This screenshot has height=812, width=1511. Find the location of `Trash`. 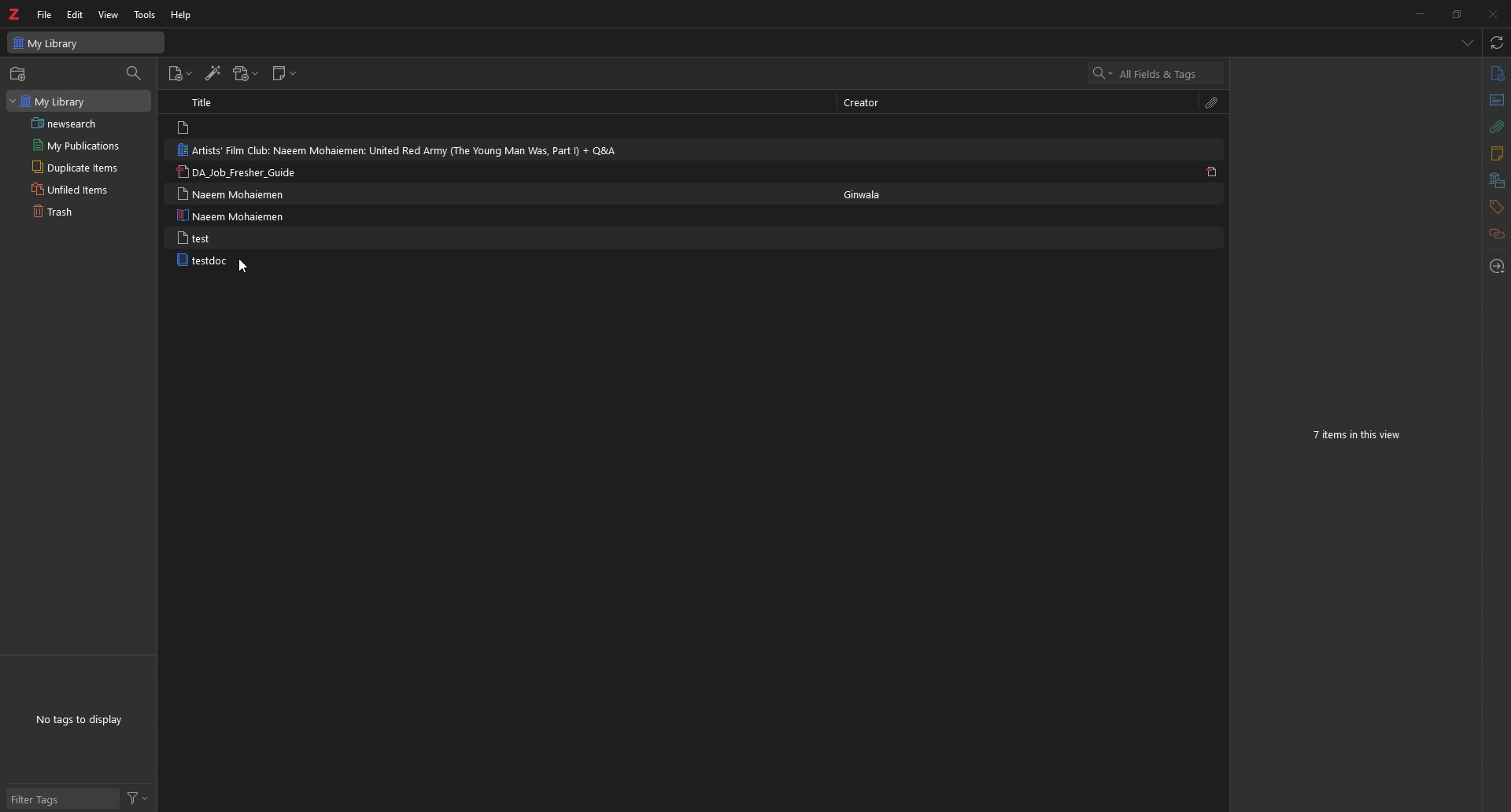

Trash is located at coordinates (56, 212).